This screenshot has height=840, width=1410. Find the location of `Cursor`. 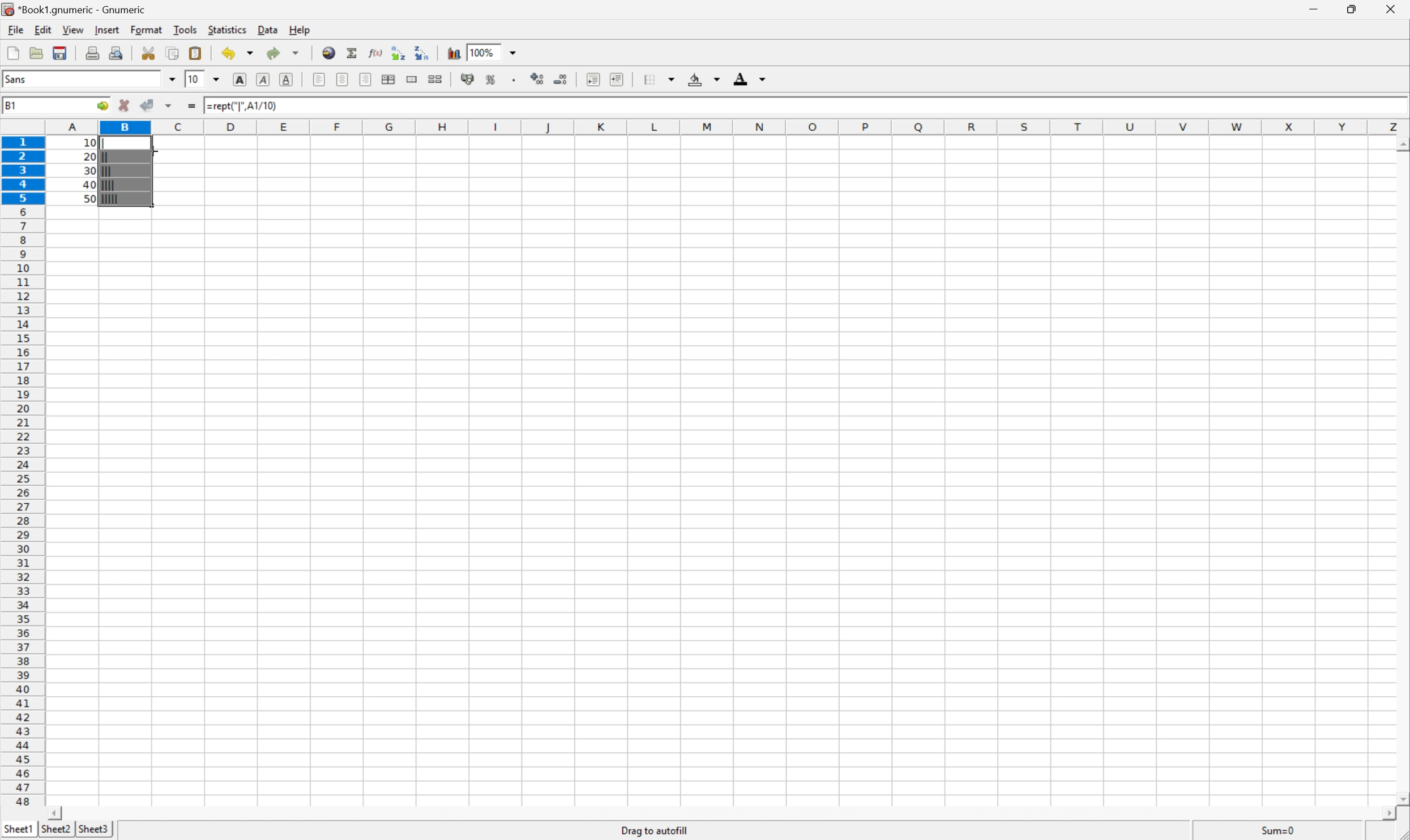

Cursor is located at coordinates (114, 143).